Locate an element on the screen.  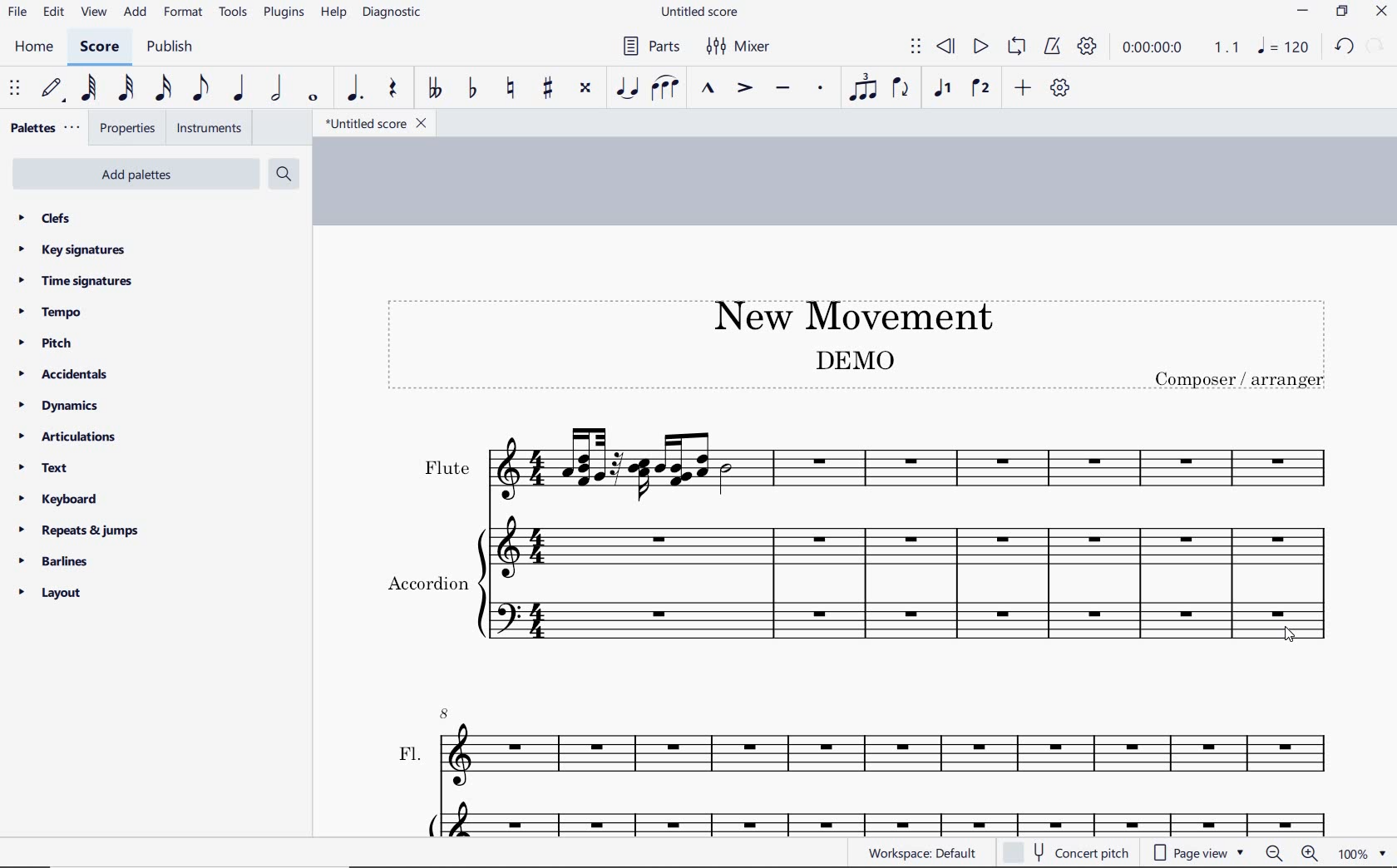
slur is located at coordinates (666, 89).